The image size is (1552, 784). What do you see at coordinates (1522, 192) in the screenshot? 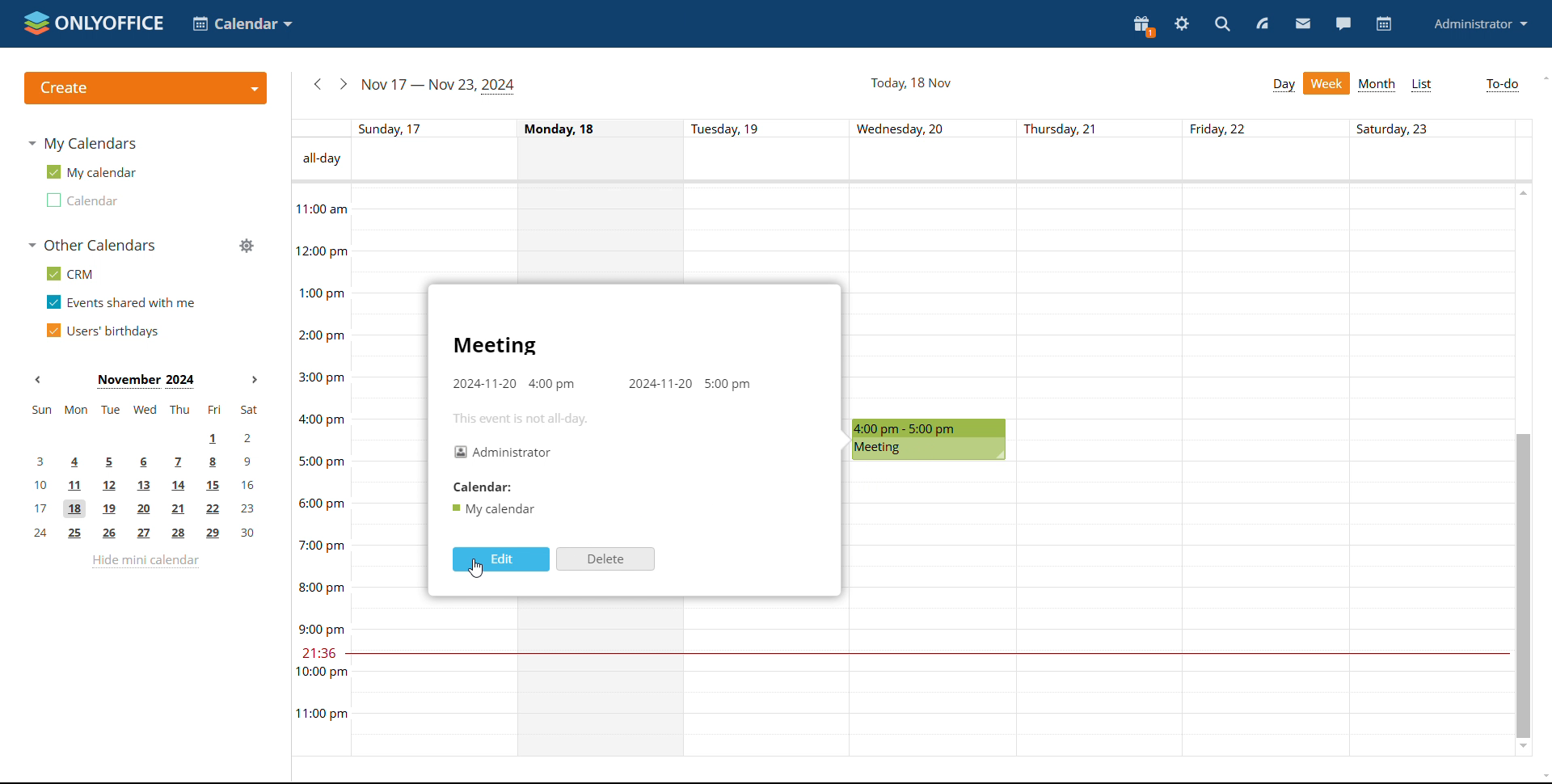
I see `scroll up` at bounding box center [1522, 192].